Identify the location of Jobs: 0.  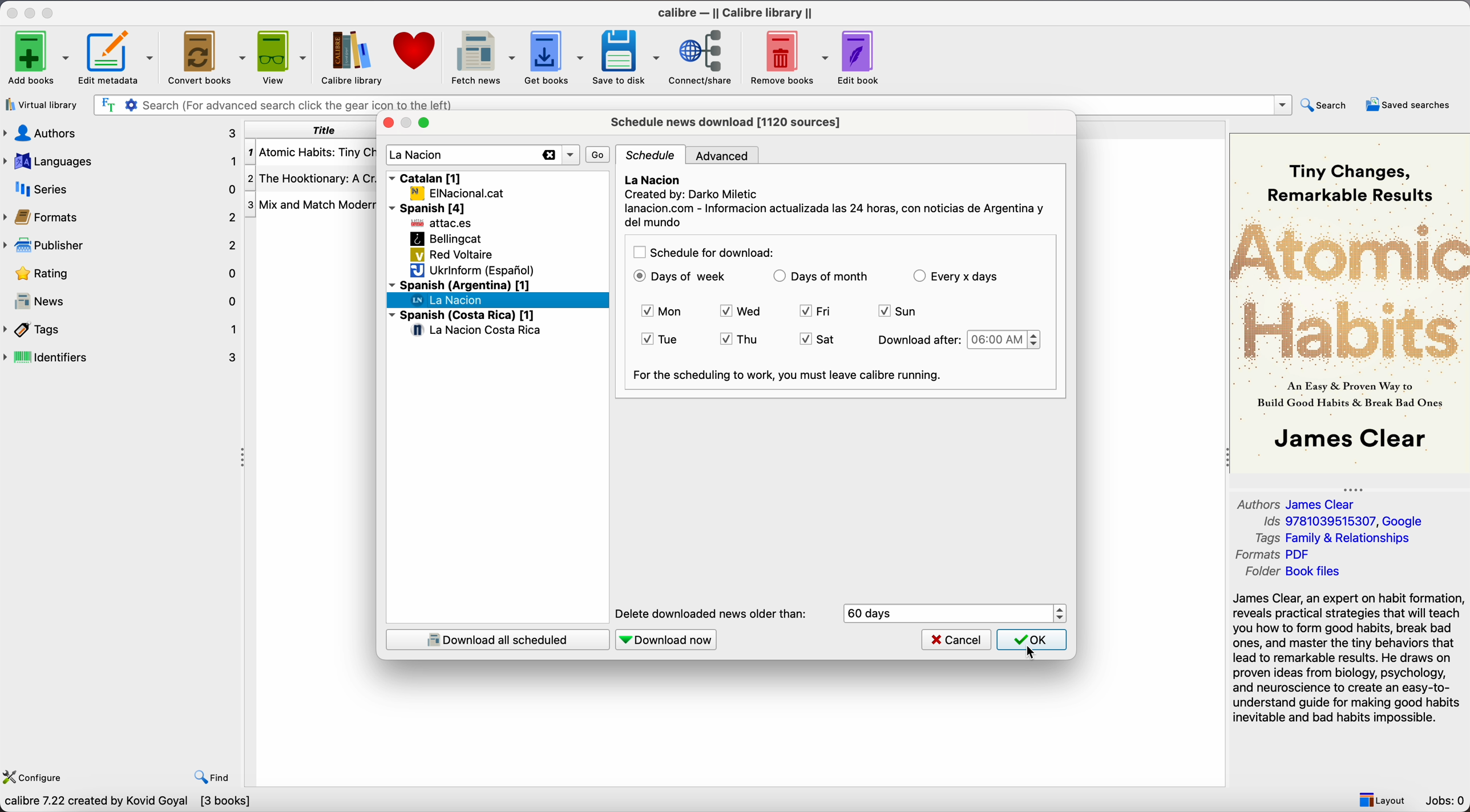
(1446, 801).